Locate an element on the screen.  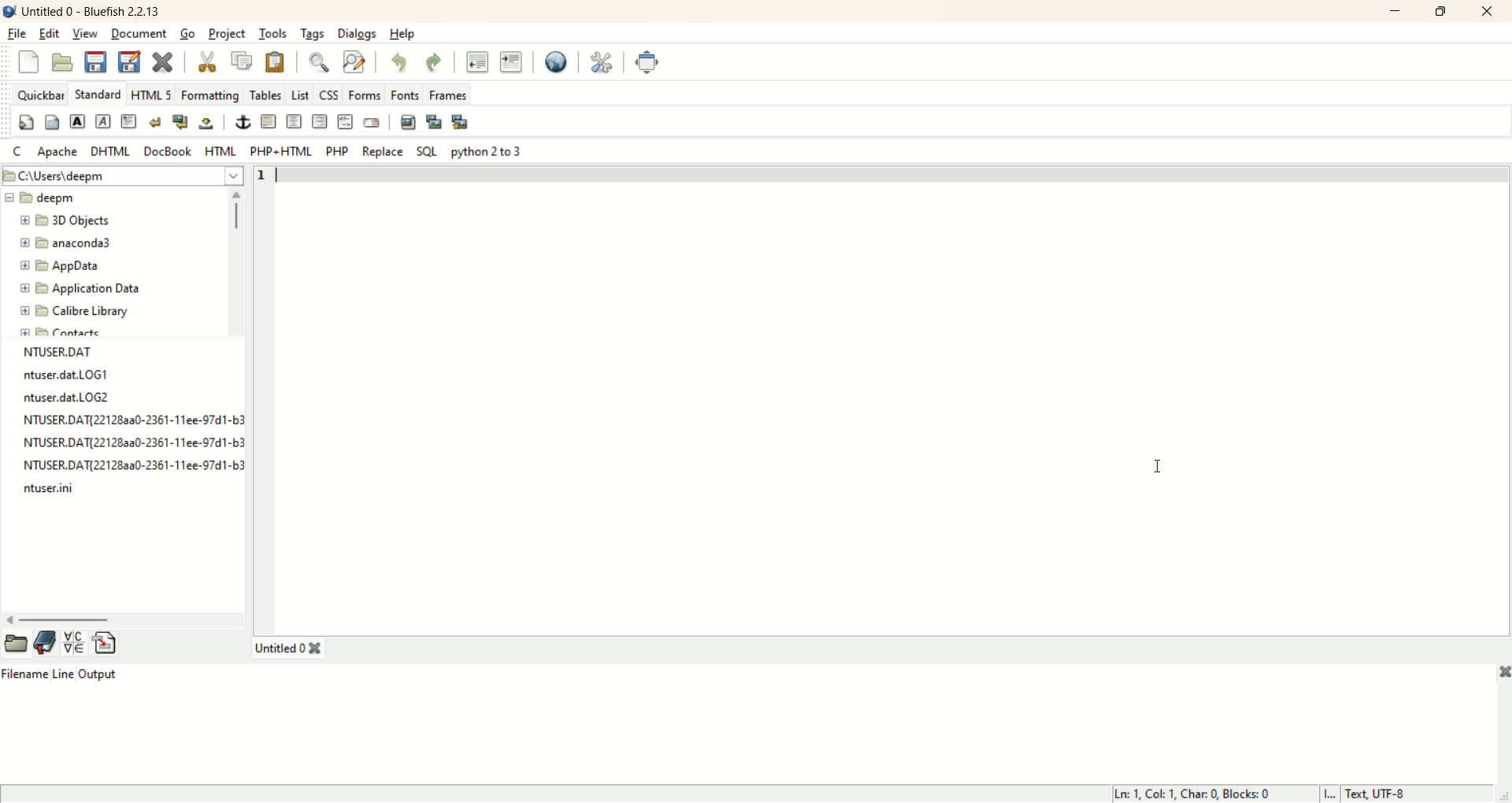
body is located at coordinates (51, 122).